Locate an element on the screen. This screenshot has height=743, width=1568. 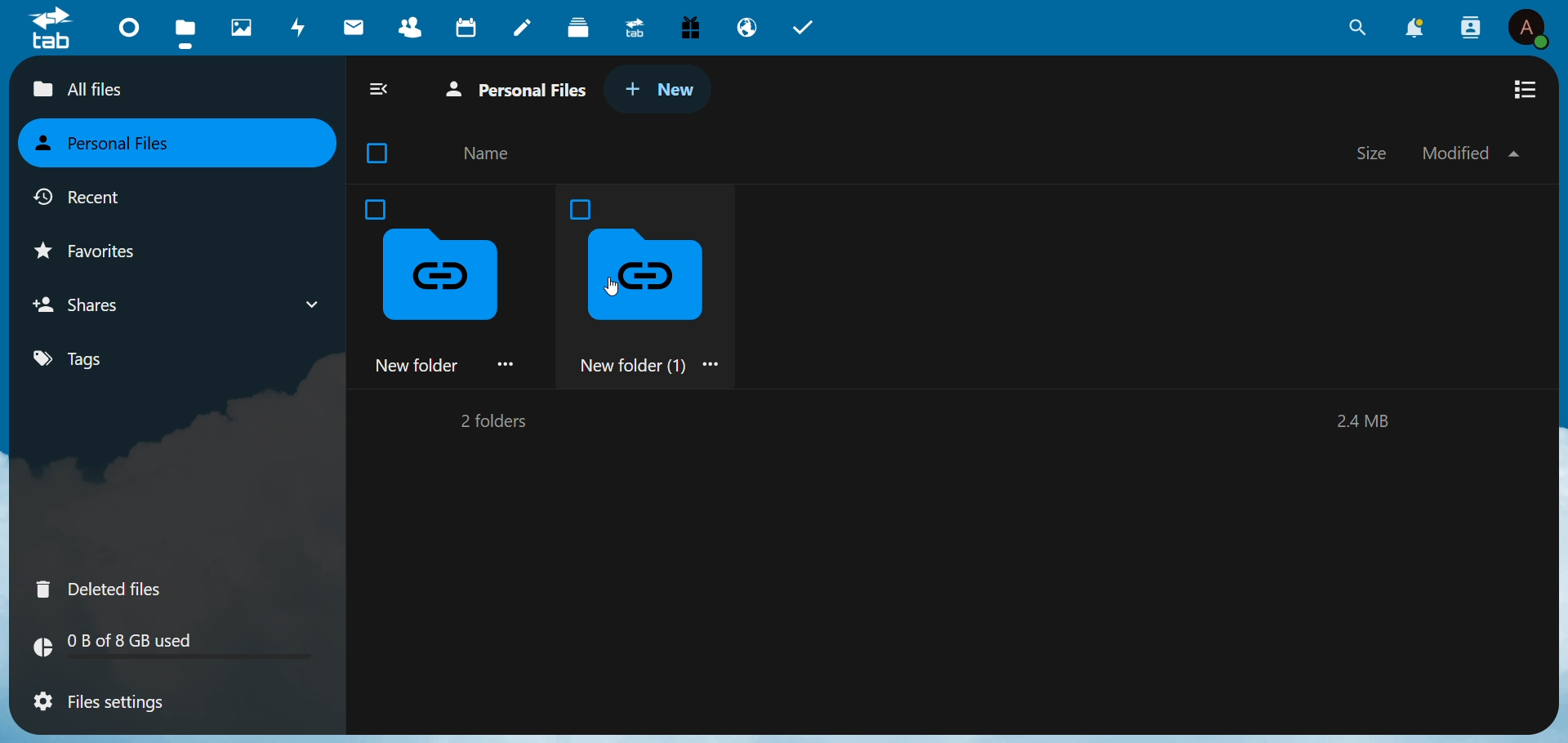
notification is located at coordinates (1414, 29).